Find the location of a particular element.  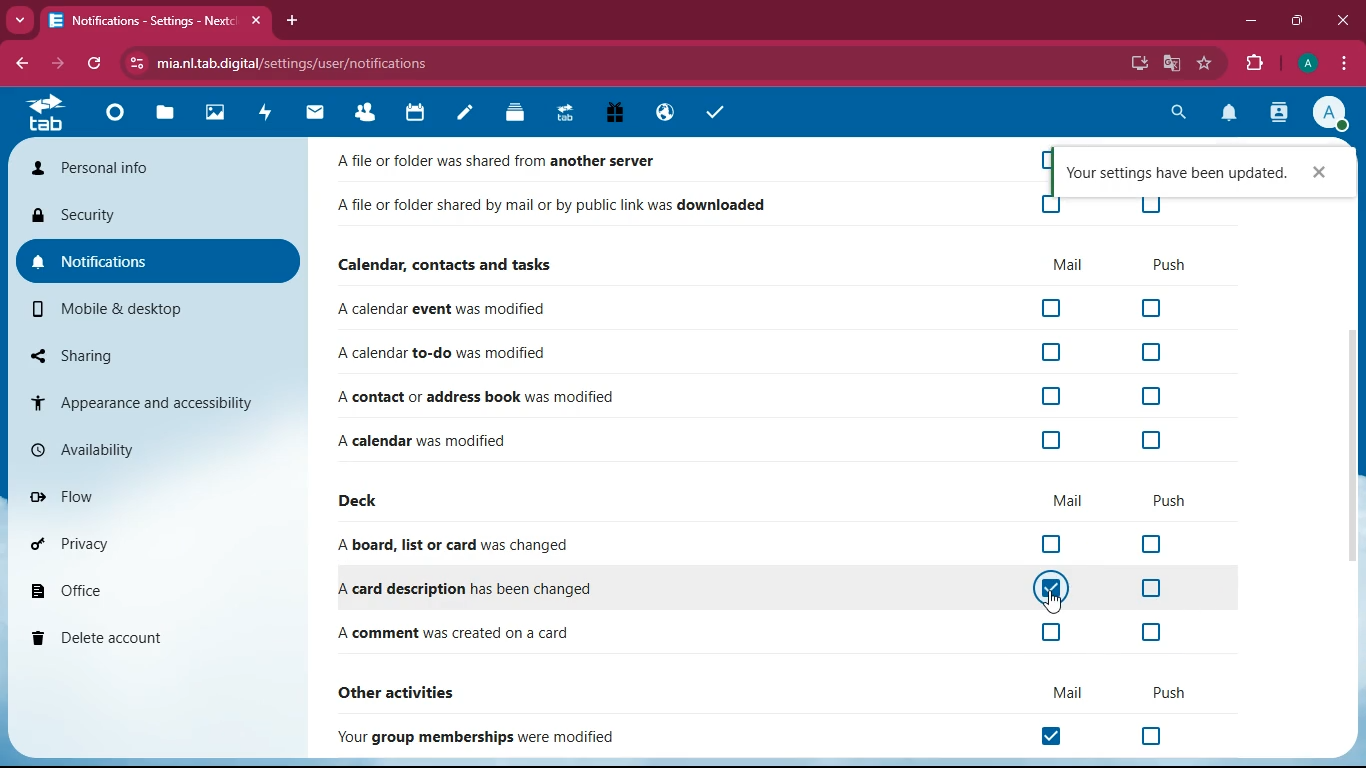

minimize is located at coordinates (1250, 19).